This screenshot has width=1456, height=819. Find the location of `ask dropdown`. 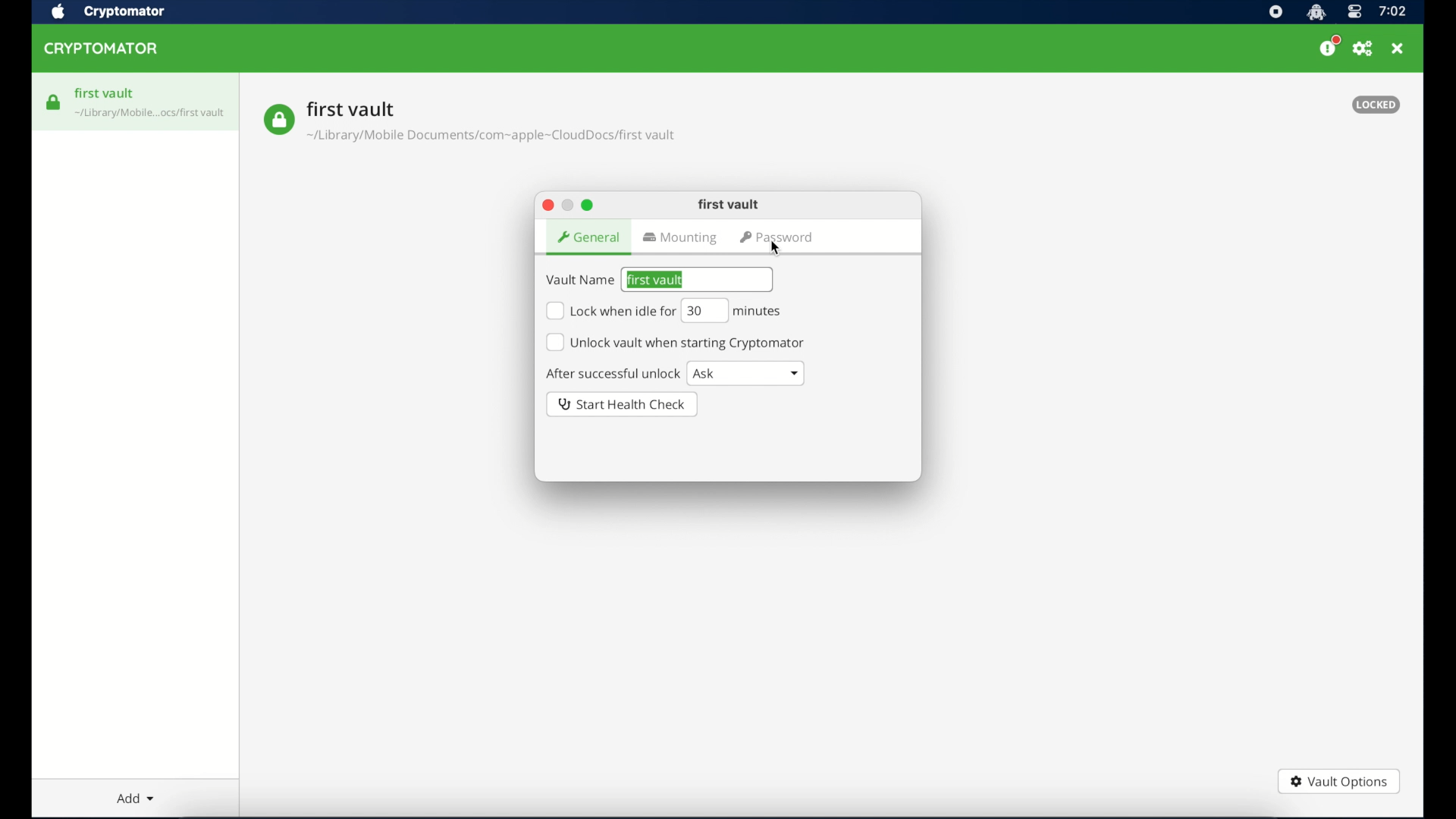

ask dropdown is located at coordinates (747, 374).